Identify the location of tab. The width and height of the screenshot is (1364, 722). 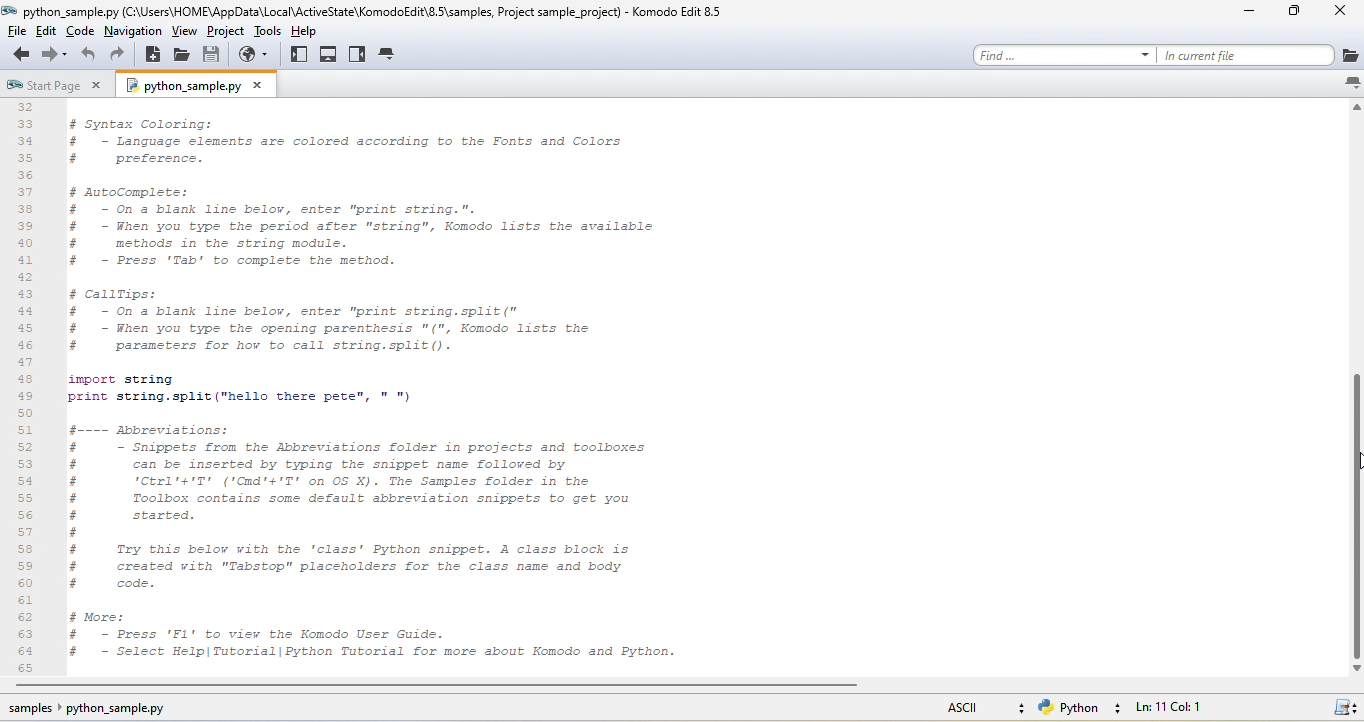
(390, 56).